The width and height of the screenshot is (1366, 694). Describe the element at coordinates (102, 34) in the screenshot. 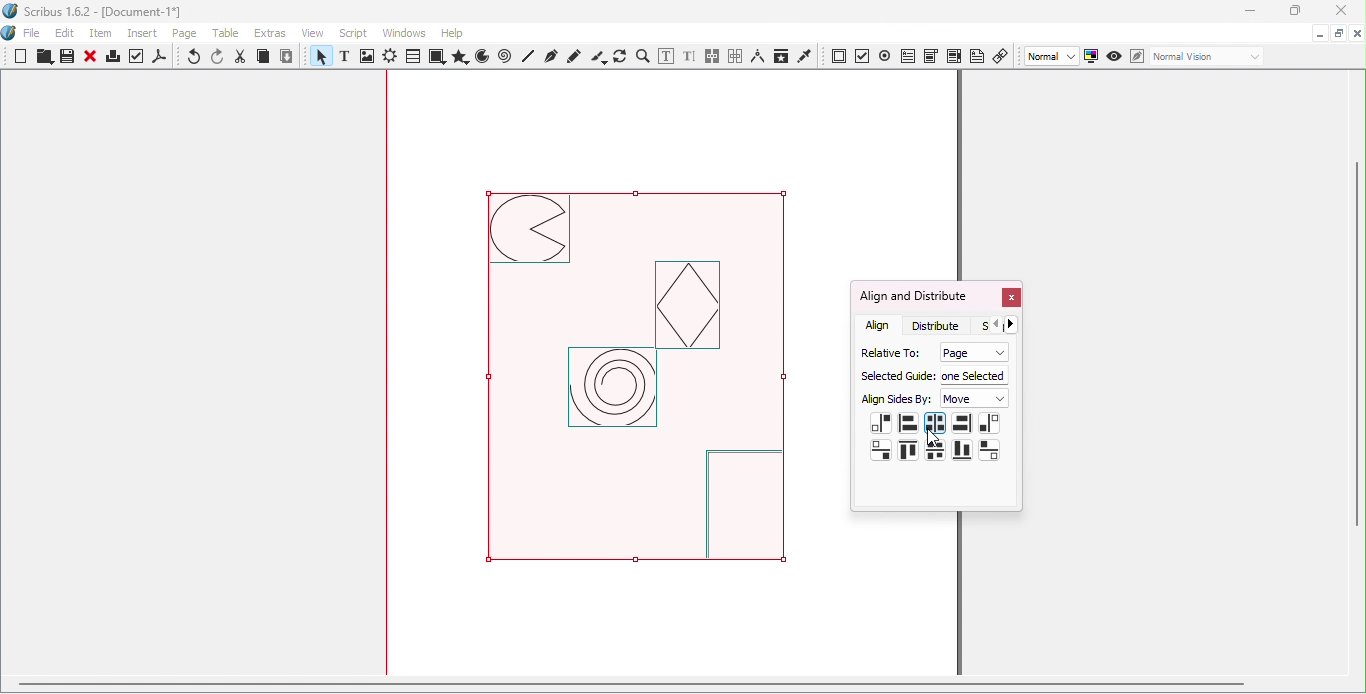

I see `Item` at that location.